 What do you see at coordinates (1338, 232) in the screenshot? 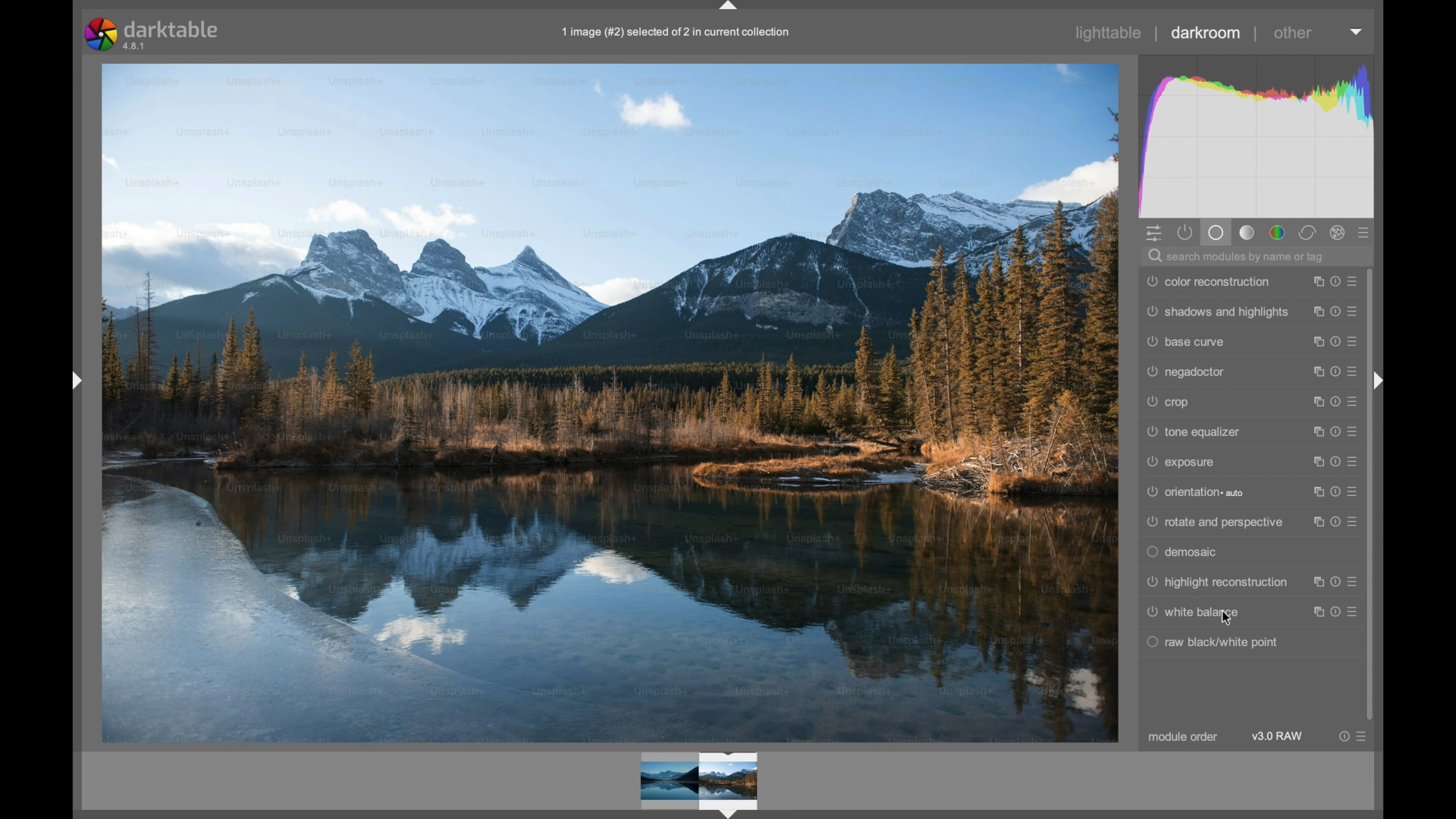
I see `effect` at bounding box center [1338, 232].